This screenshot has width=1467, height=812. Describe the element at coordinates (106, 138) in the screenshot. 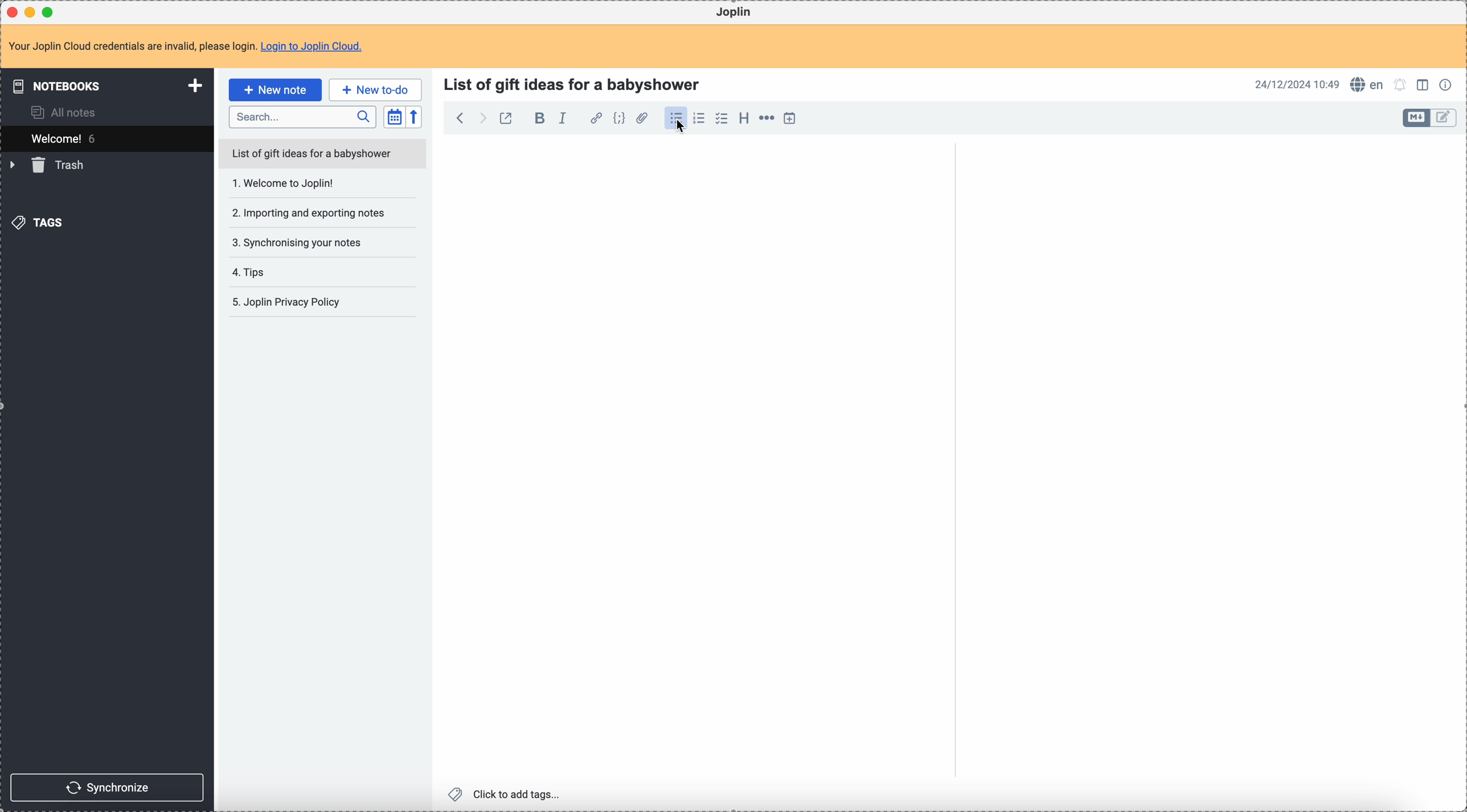

I see `welcome` at that location.